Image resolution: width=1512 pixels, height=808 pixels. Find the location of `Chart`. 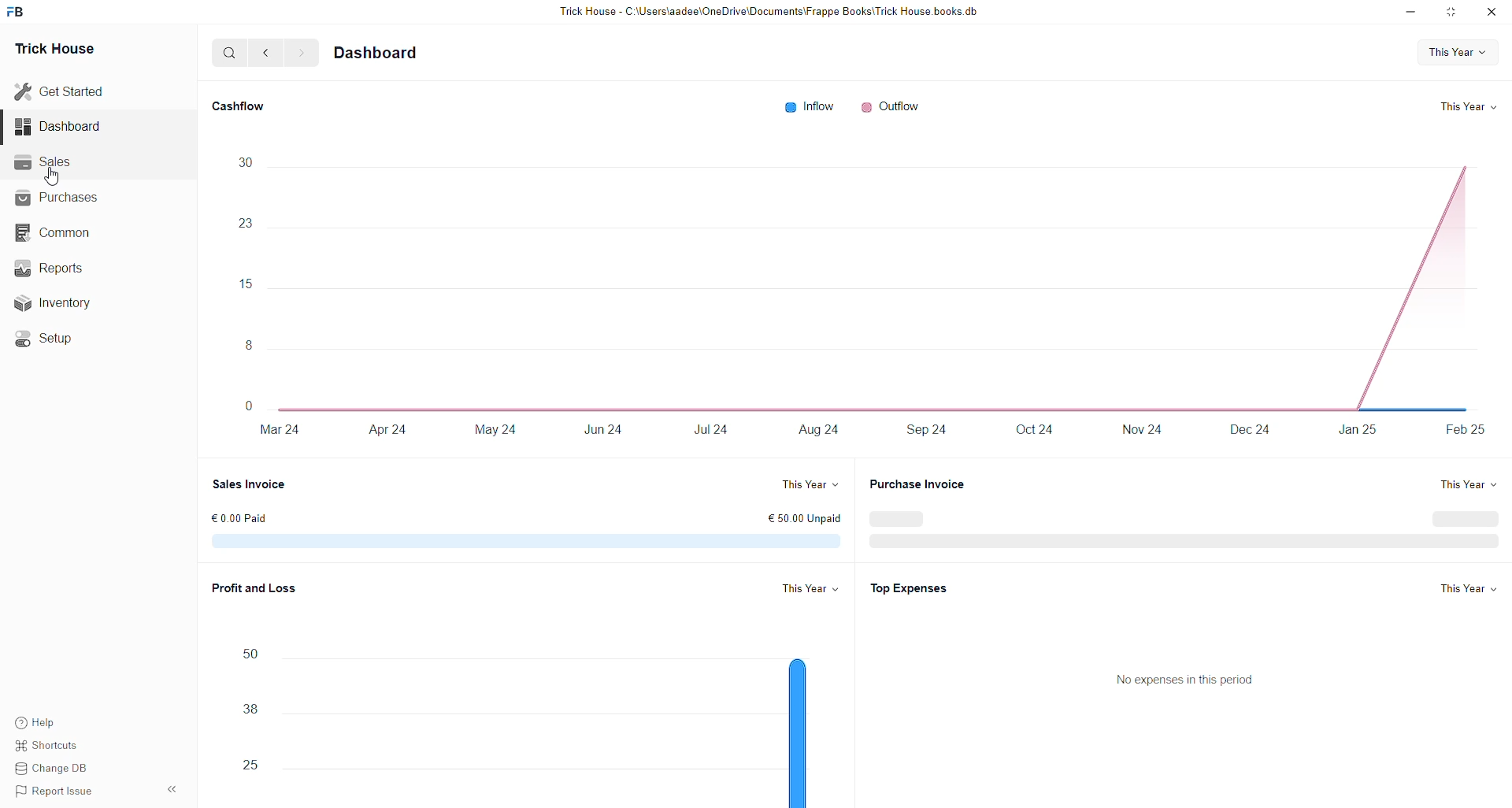

Chart is located at coordinates (860, 295).